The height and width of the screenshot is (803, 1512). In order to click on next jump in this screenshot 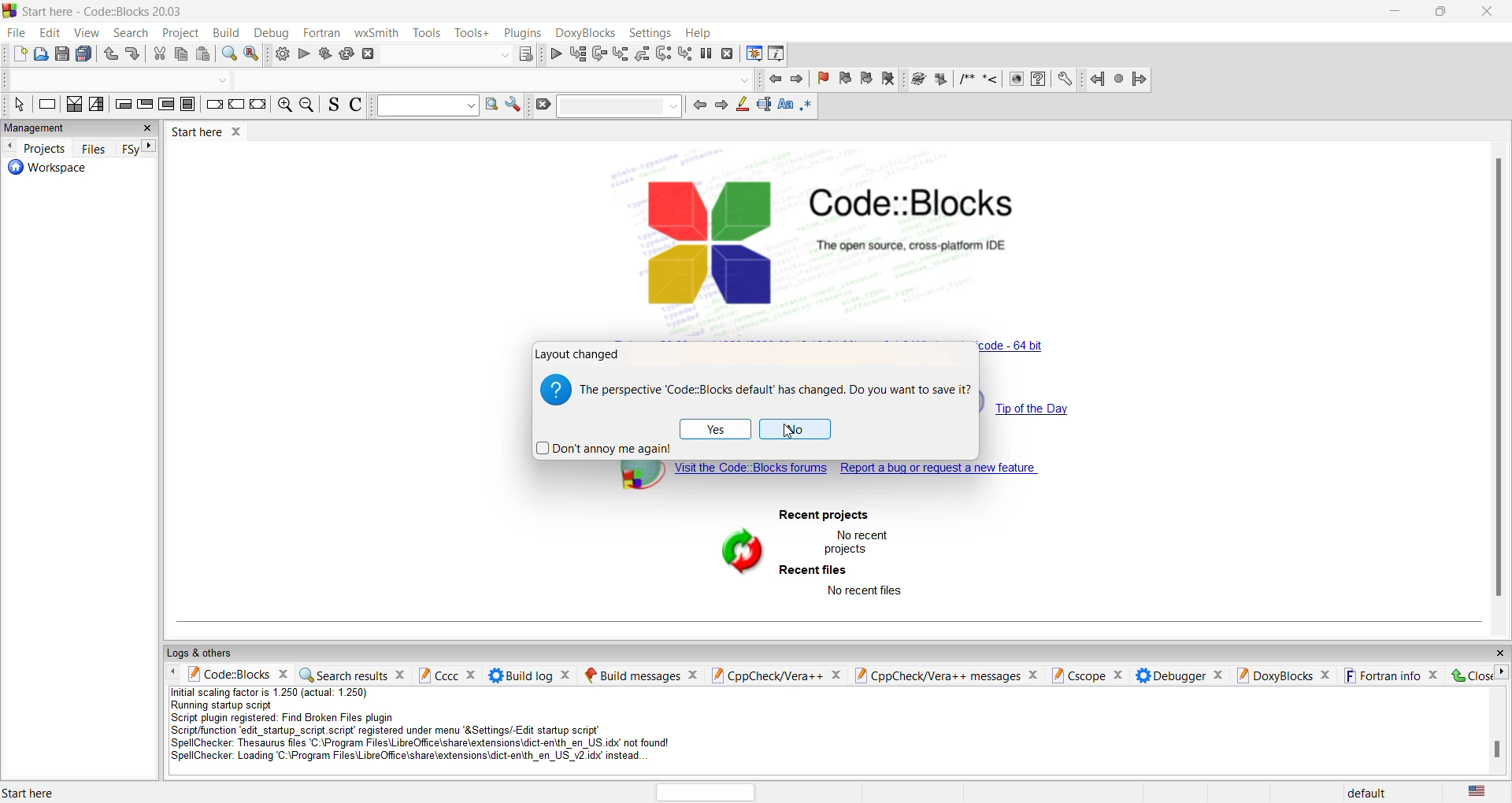, I will do `click(1116, 80)`.